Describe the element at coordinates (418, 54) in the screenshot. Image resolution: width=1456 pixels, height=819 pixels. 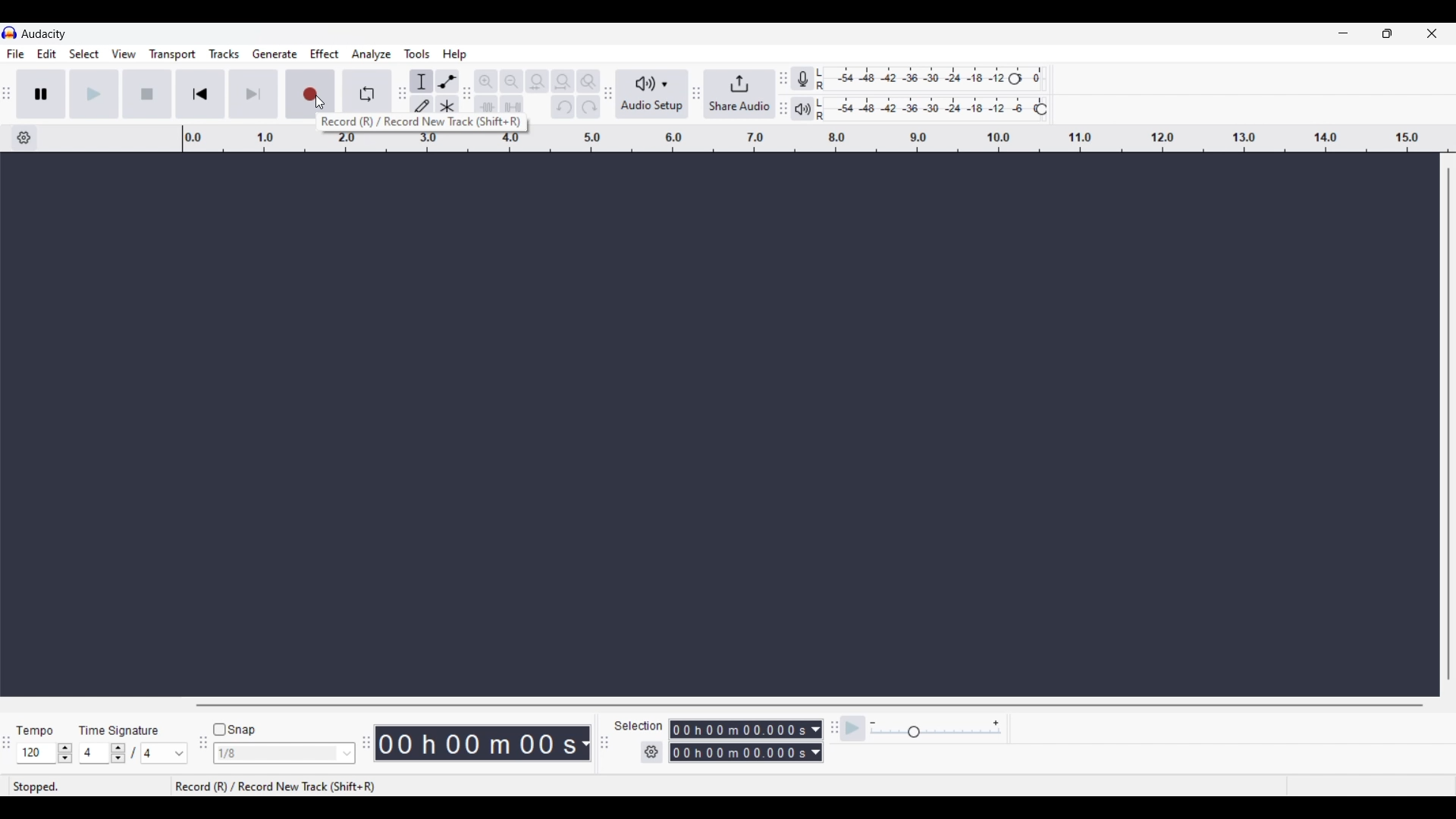
I see `Tools menu` at that location.